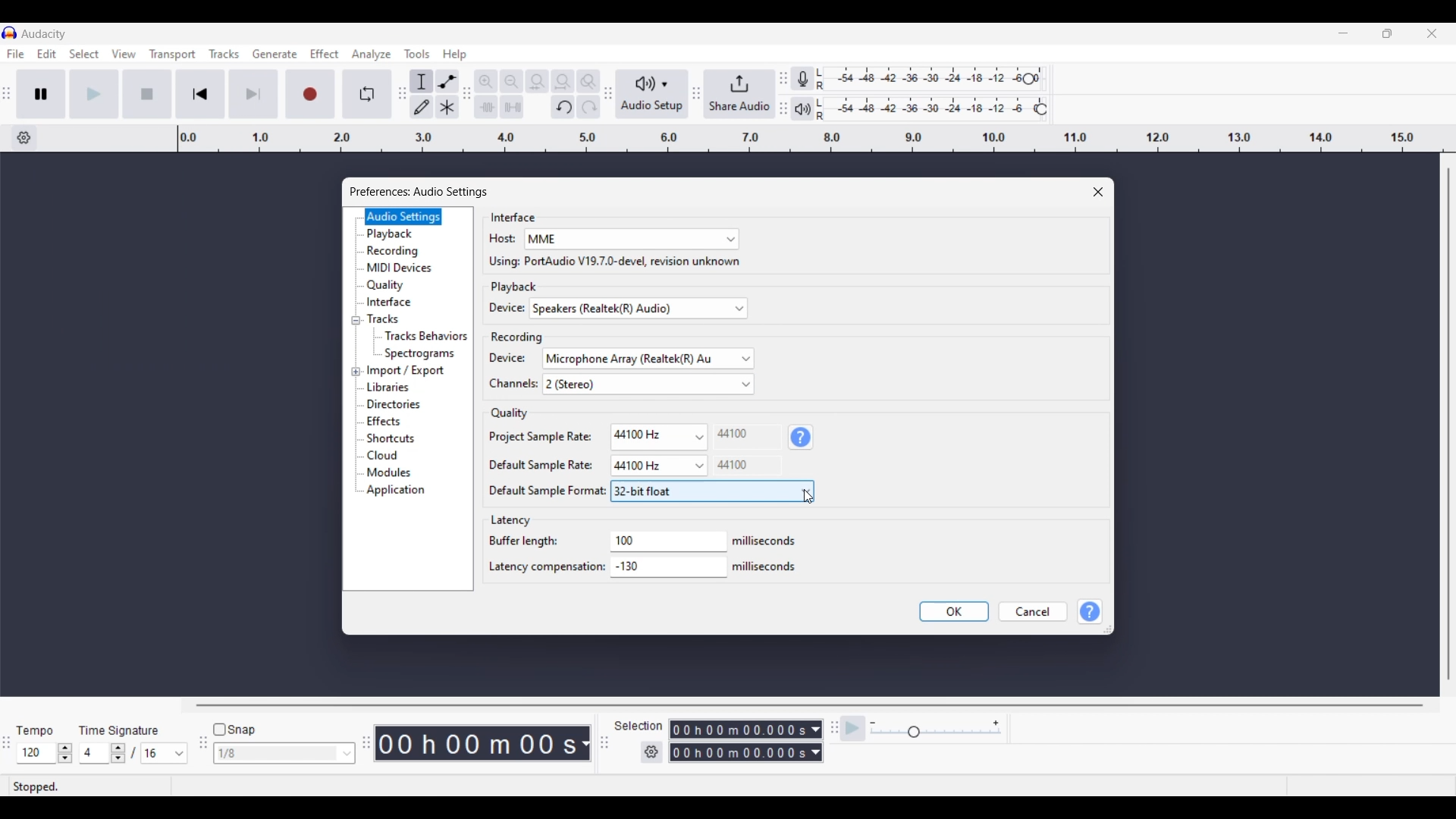 The height and width of the screenshot is (819, 1456). I want to click on Interface, so click(507, 217).